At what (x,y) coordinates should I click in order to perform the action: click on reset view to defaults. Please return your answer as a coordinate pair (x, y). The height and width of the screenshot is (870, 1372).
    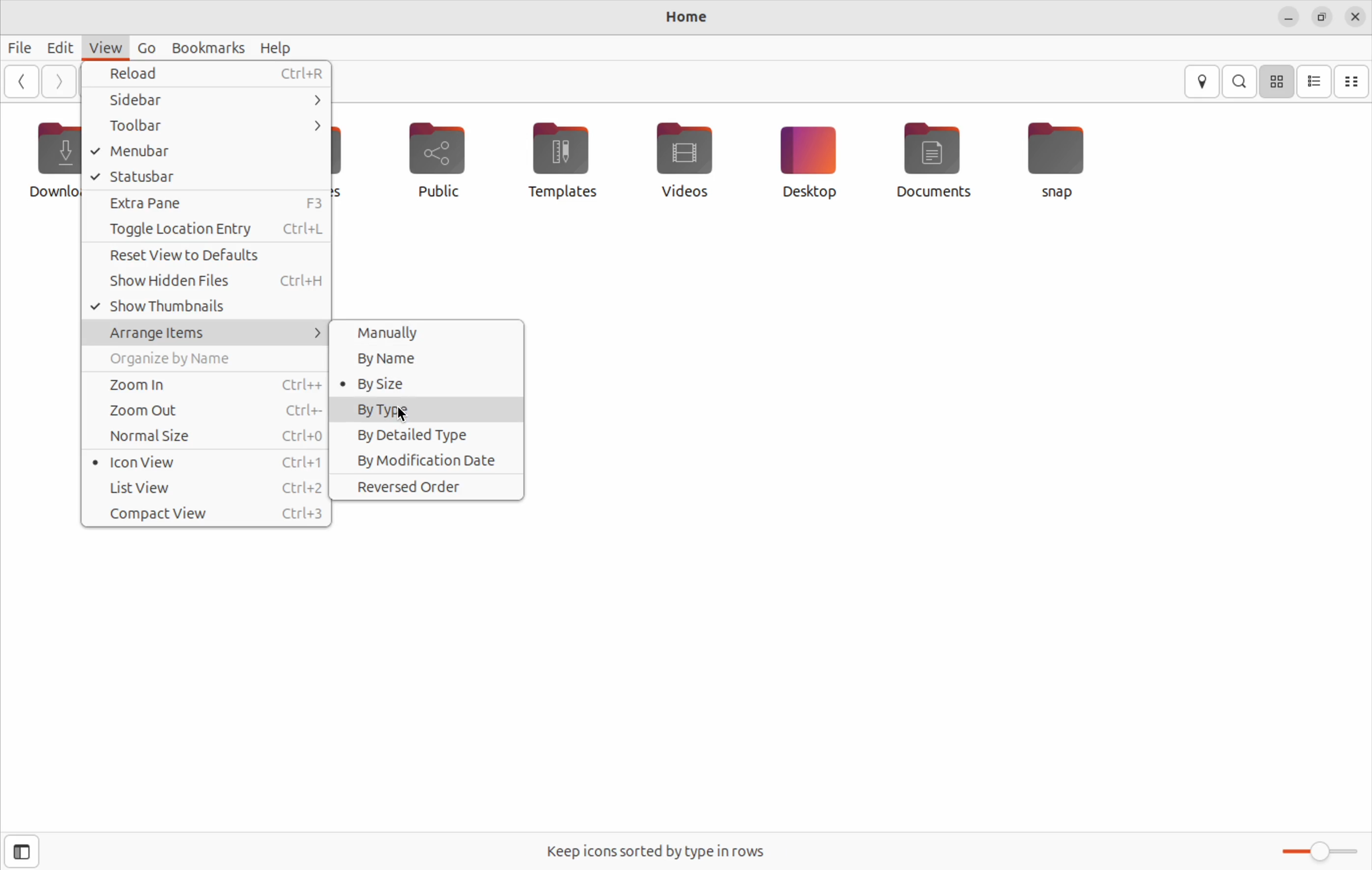
    Looking at the image, I should click on (210, 256).